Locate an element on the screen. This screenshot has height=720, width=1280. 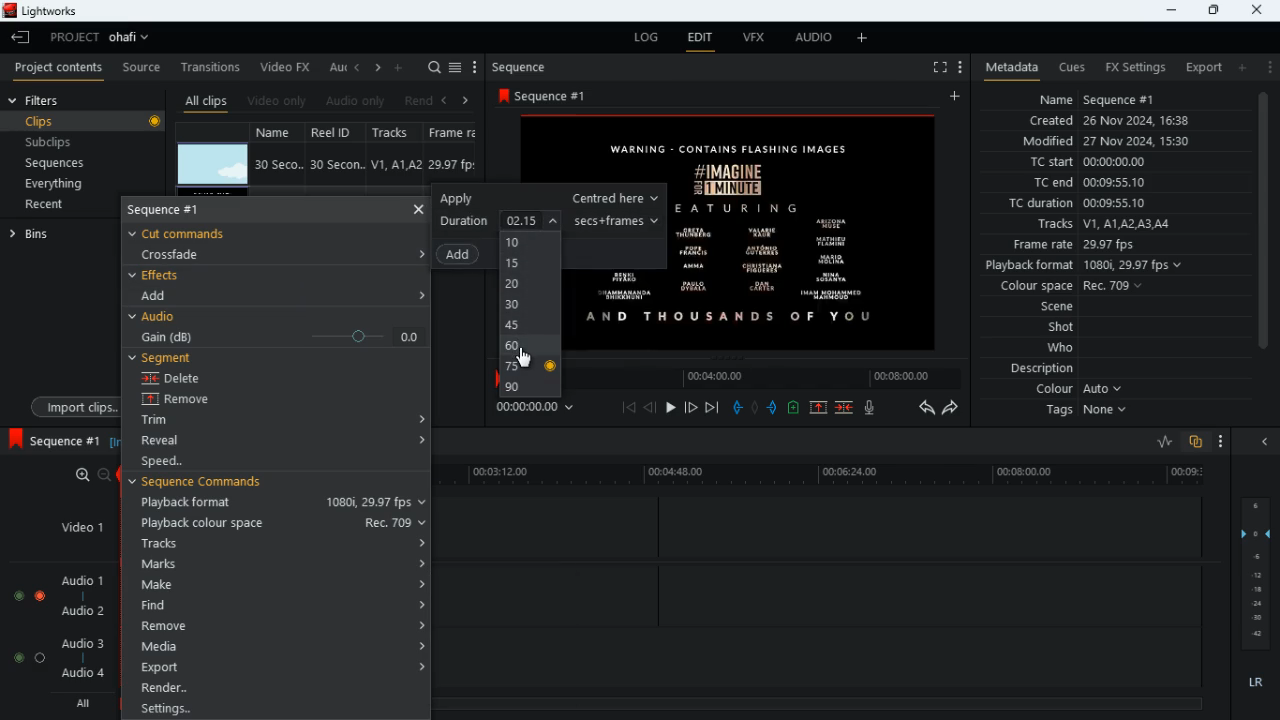
fullscreen is located at coordinates (938, 68).